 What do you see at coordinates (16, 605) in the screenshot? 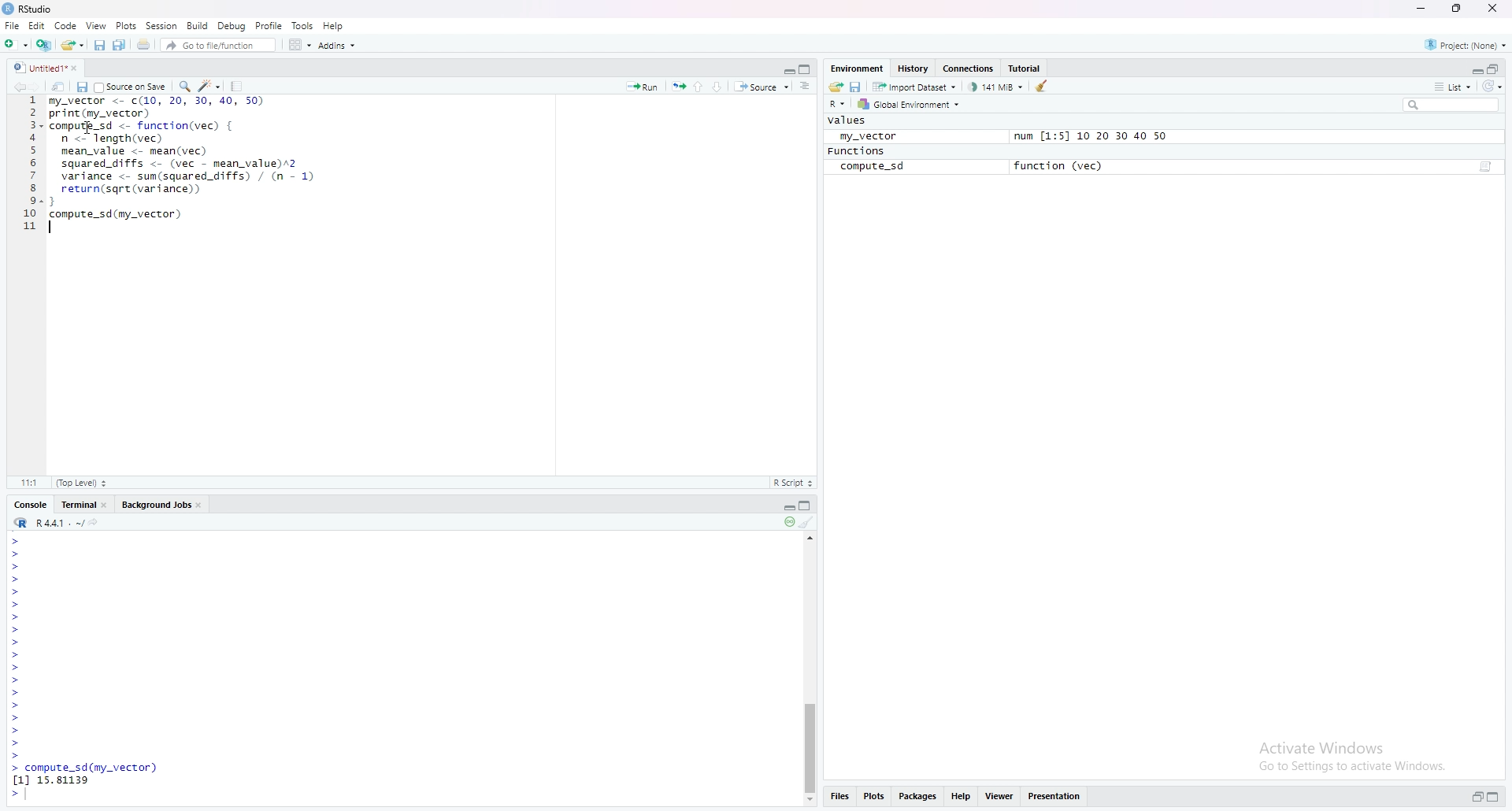
I see `Prompt cursor` at bounding box center [16, 605].